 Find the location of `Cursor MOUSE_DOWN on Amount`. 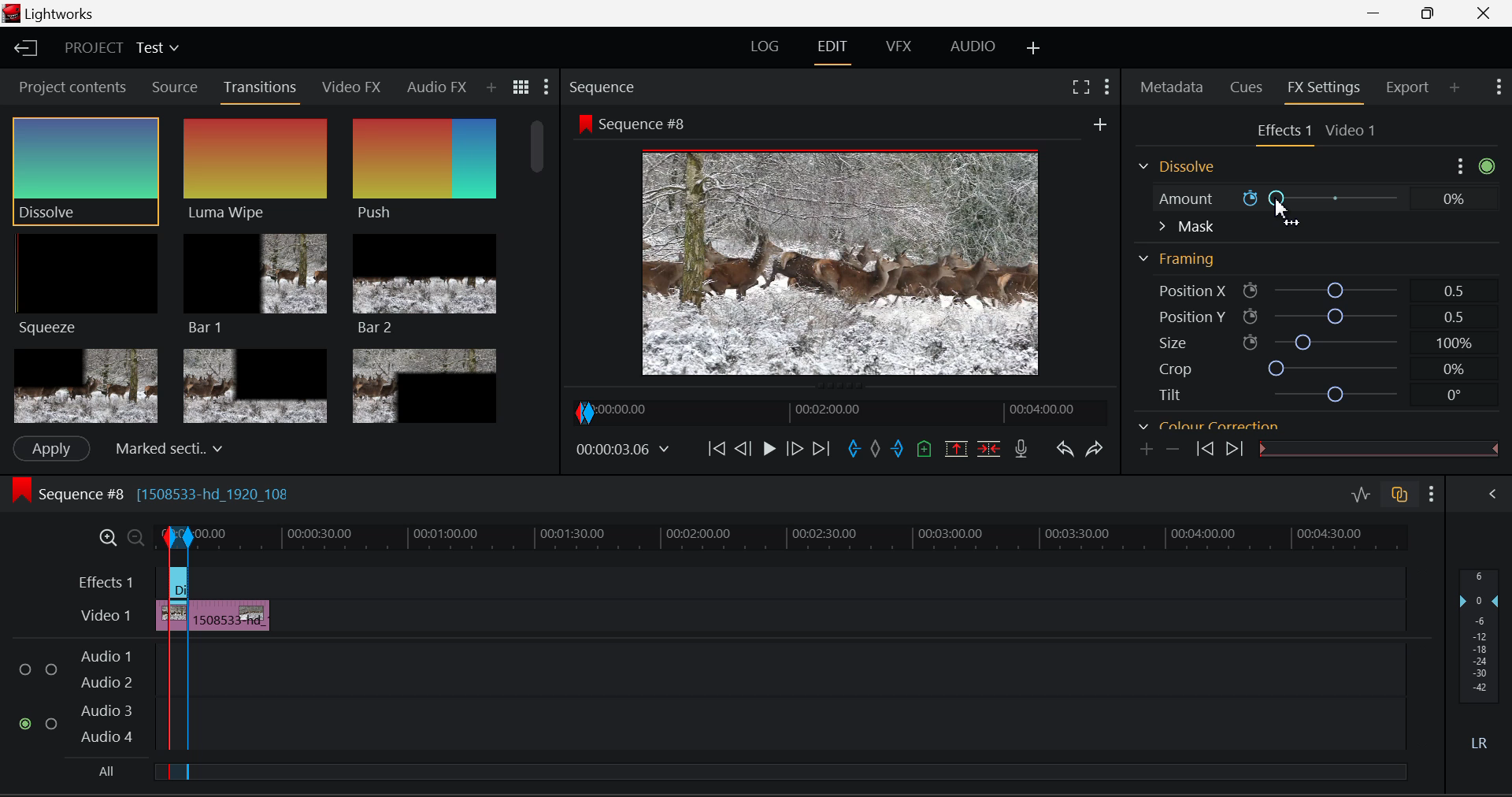

Cursor MOUSE_DOWN on Amount is located at coordinates (1312, 198).